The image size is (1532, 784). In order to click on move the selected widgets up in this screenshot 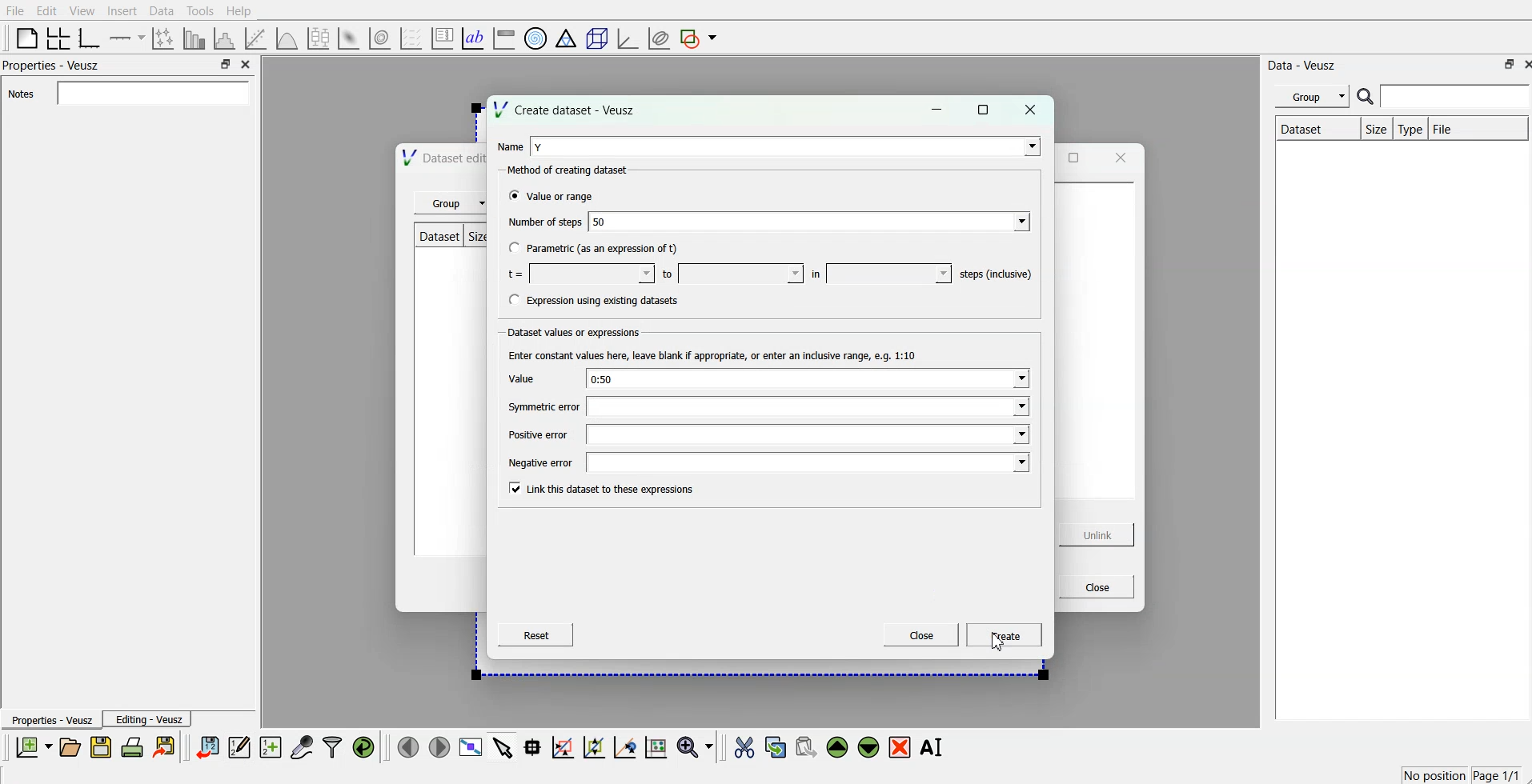, I will do `click(839, 747)`.